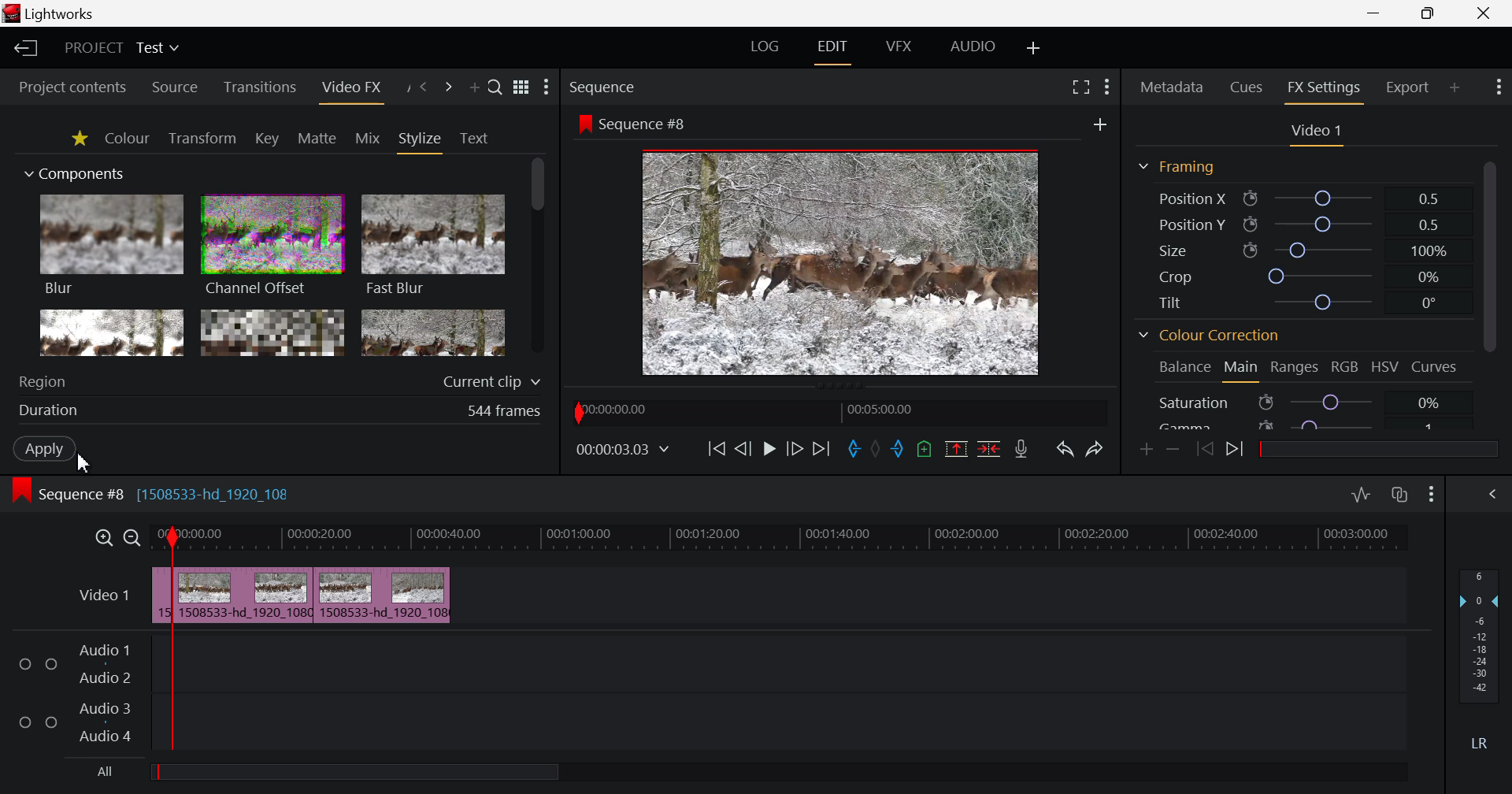  Describe the element at coordinates (446, 87) in the screenshot. I see `Next Panel` at that location.